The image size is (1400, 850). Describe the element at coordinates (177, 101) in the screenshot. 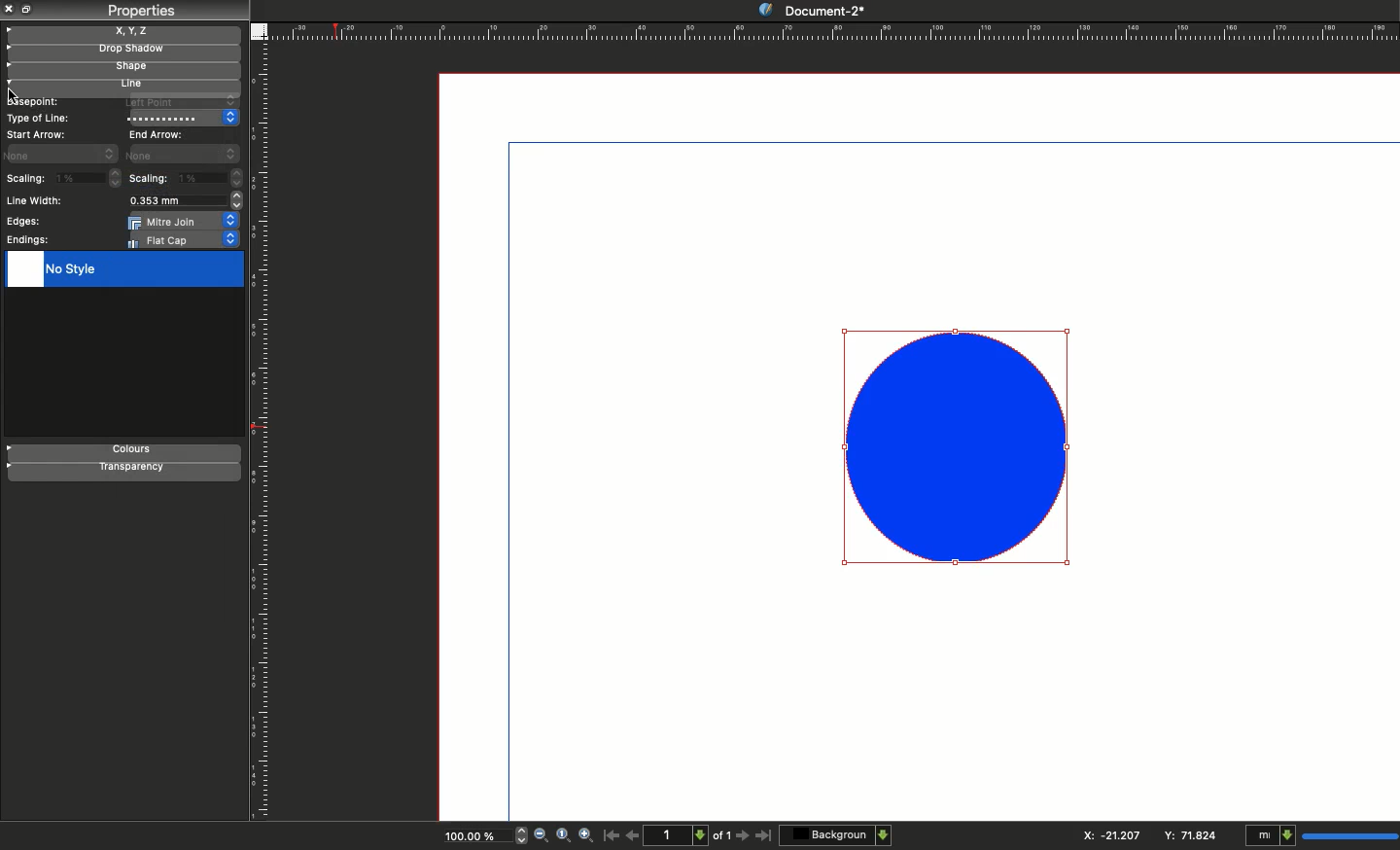

I see `Line point` at that location.